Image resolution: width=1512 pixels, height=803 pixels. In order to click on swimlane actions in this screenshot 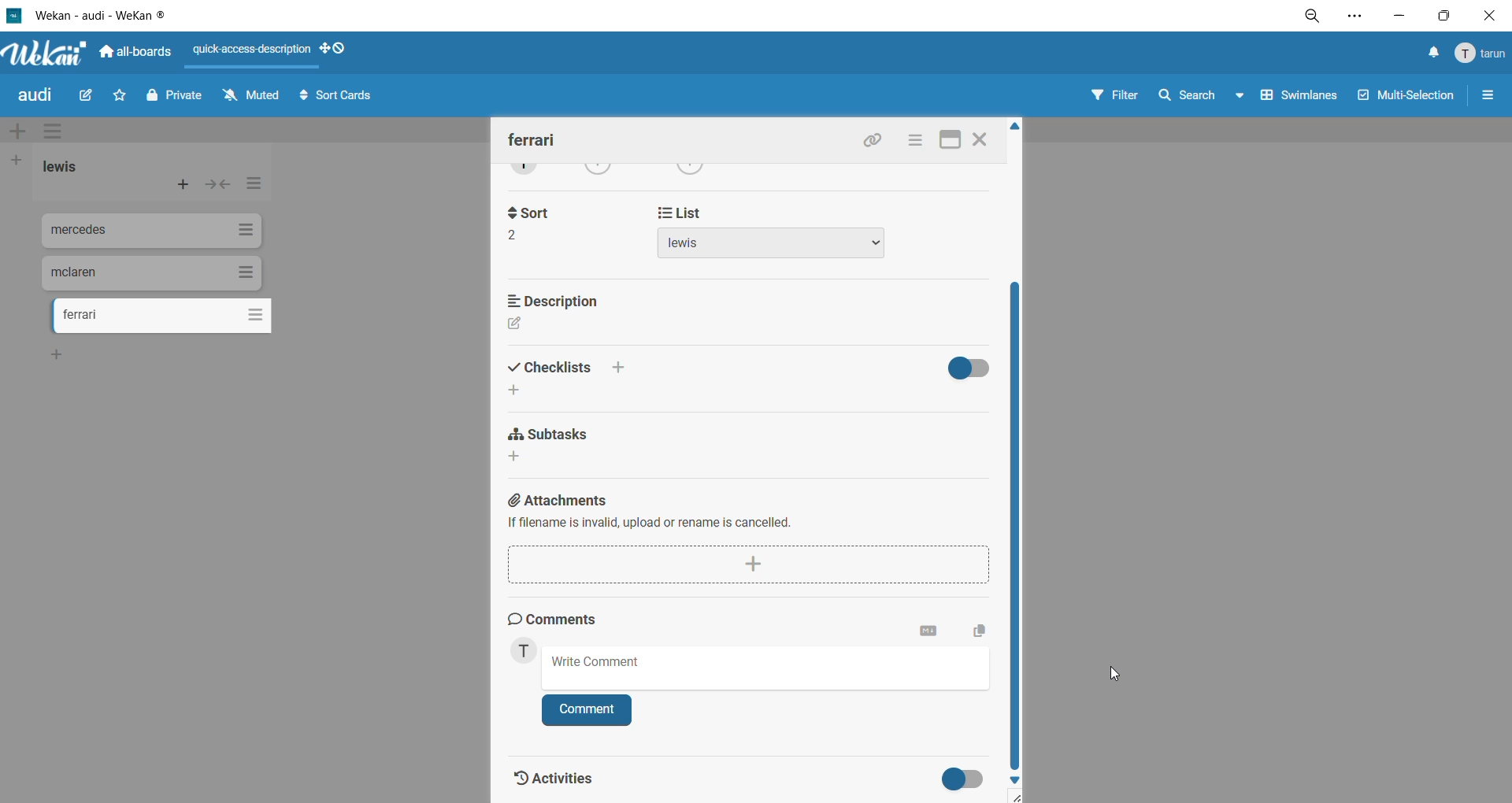, I will do `click(57, 132)`.